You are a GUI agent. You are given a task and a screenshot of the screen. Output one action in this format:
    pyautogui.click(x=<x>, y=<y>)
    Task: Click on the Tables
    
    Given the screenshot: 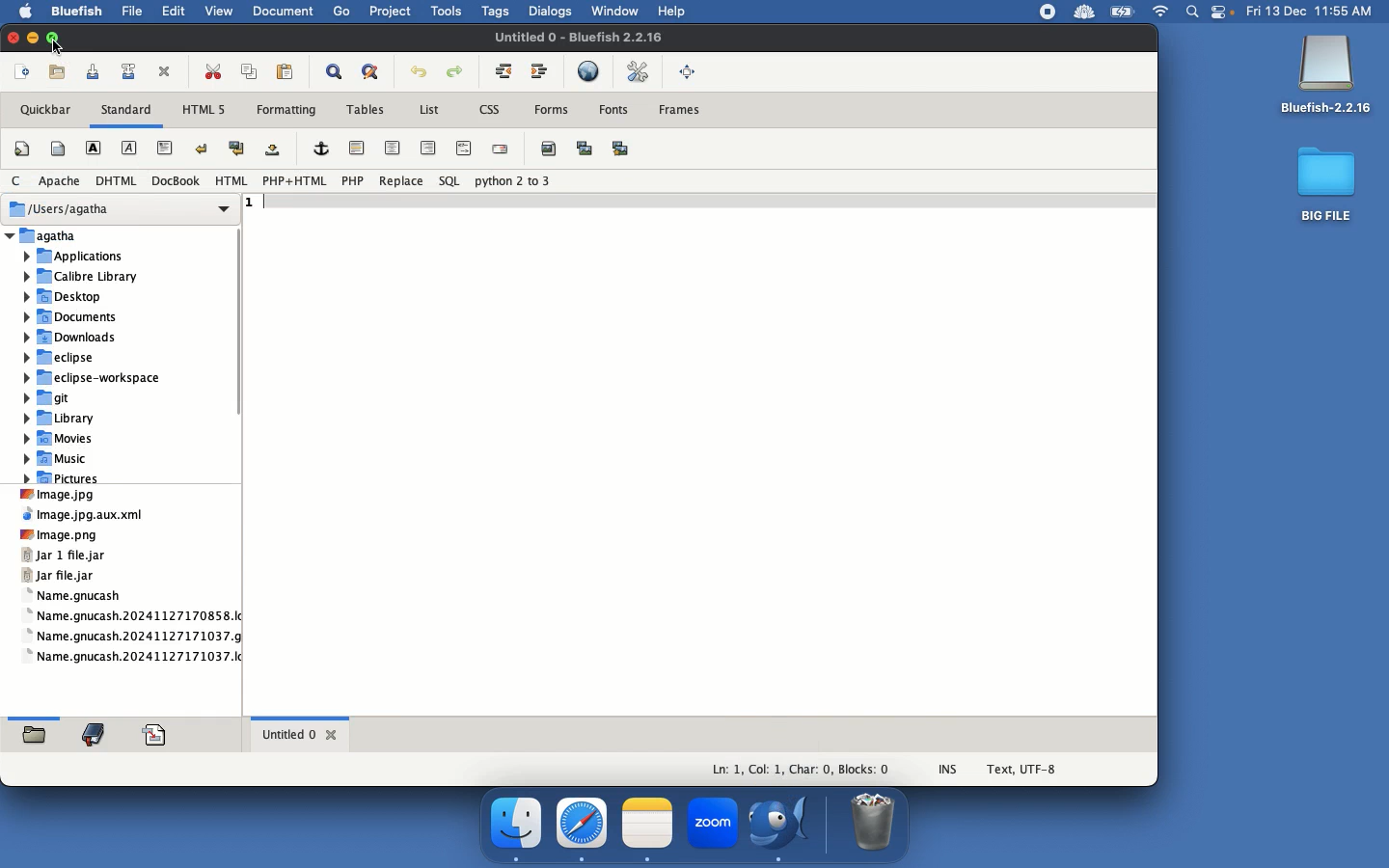 What is the action you would take?
    pyautogui.click(x=365, y=109)
    